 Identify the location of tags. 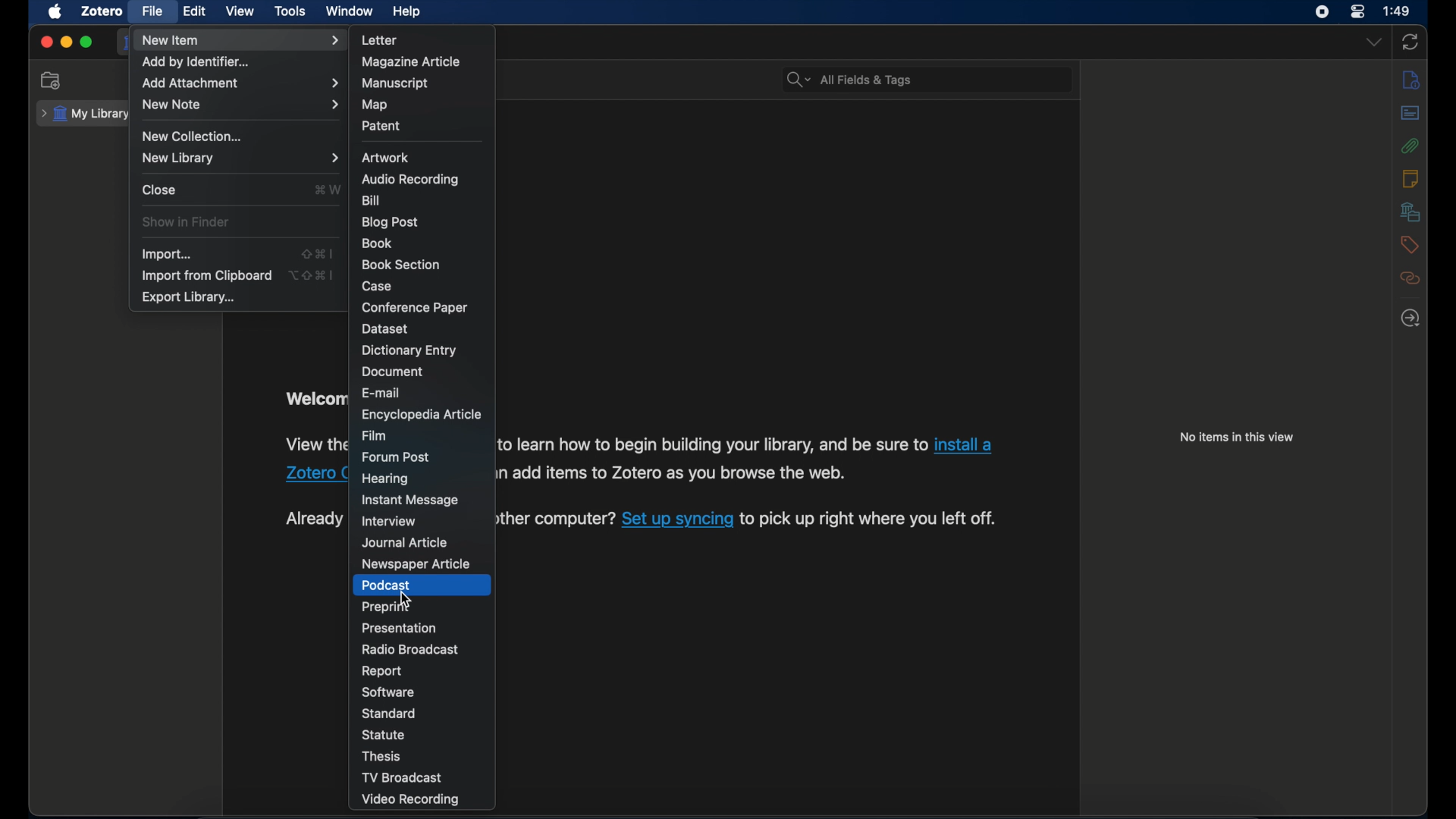
(1410, 245).